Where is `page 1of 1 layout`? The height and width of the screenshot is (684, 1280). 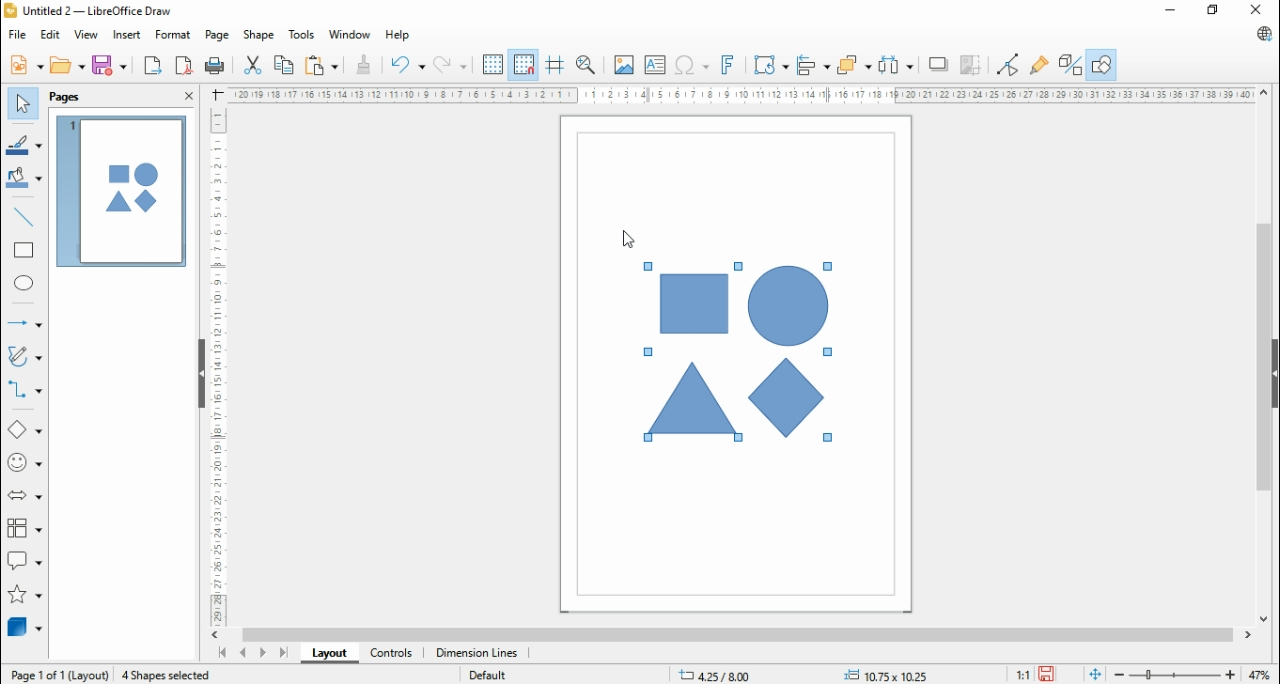 page 1of 1 layout is located at coordinates (58, 673).